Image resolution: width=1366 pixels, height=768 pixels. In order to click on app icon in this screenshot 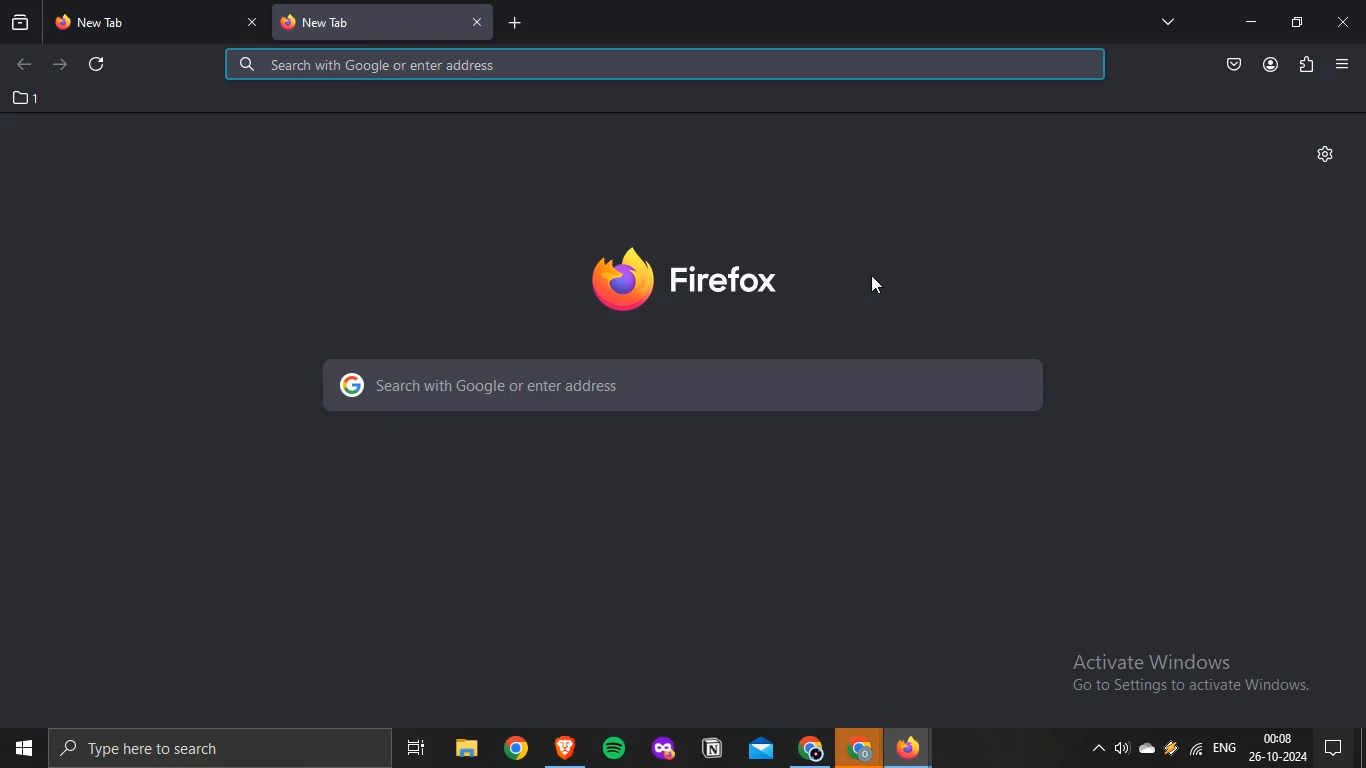, I will do `click(565, 744)`.